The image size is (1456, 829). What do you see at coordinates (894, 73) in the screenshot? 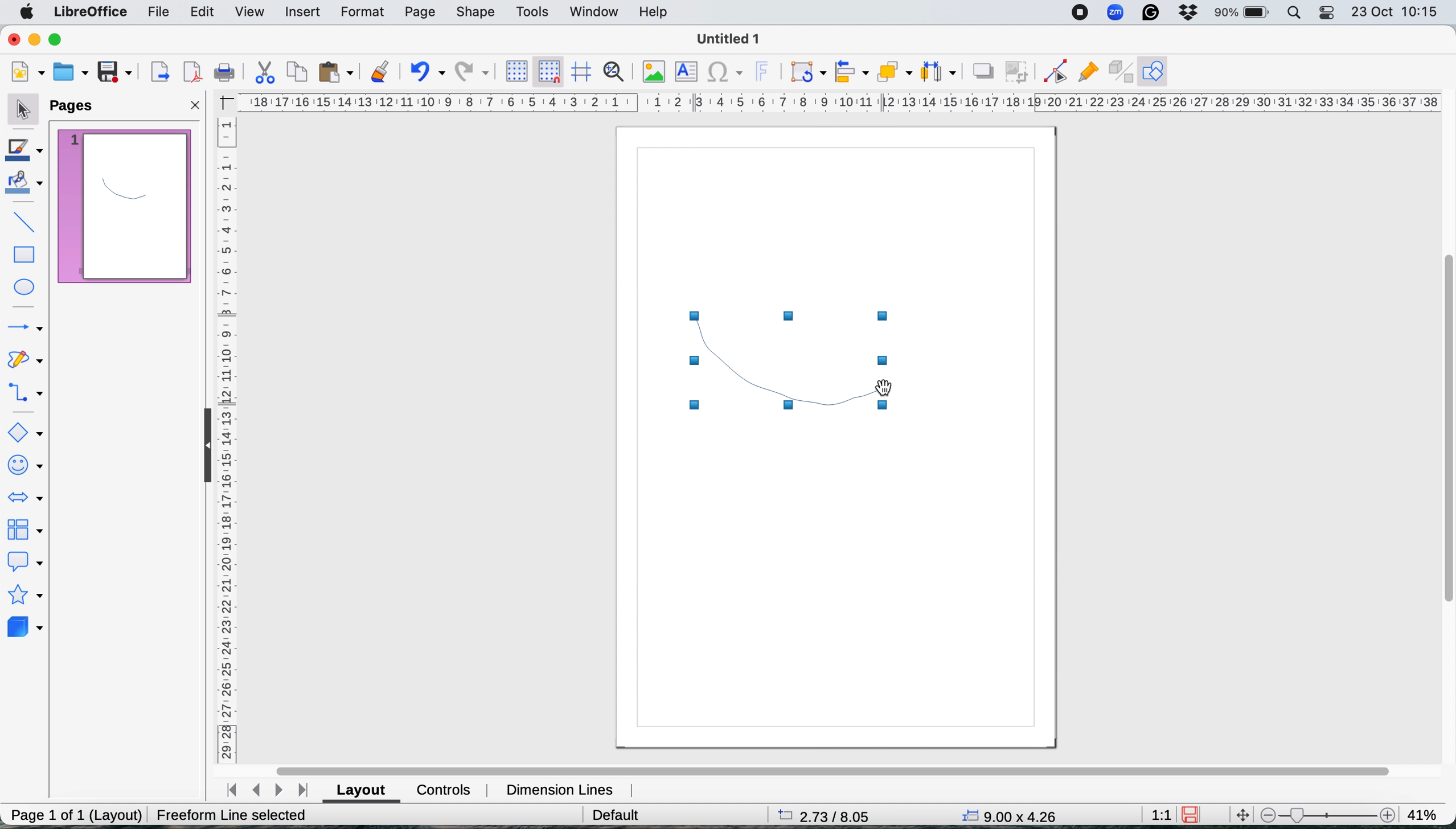
I see `arrange` at bounding box center [894, 73].